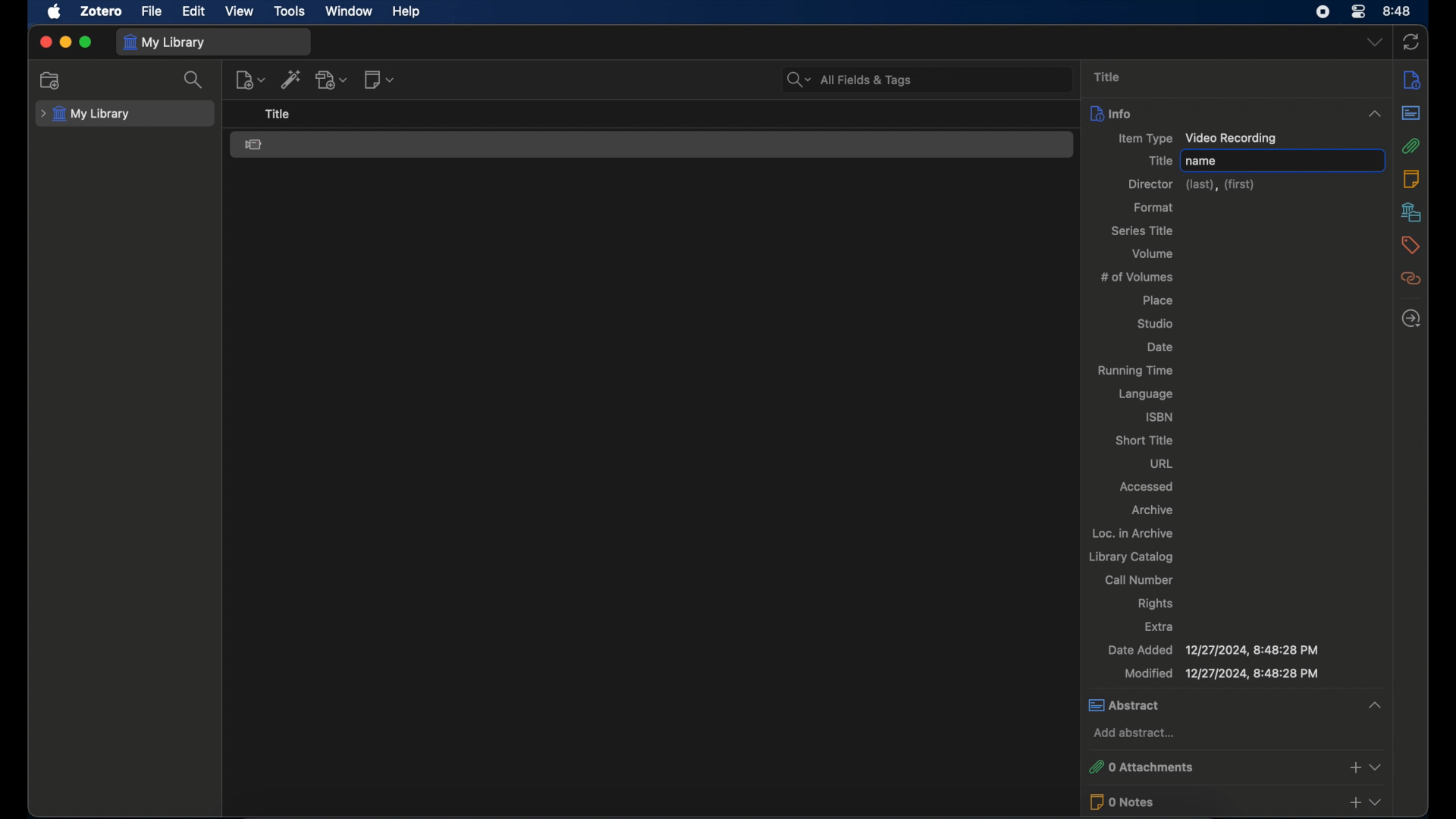 The height and width of the screenshot is (819, 1456). What do you see at coordinates (1221, 673) in the screenshot?
I see `modified` at bounding box center [1221, 673].